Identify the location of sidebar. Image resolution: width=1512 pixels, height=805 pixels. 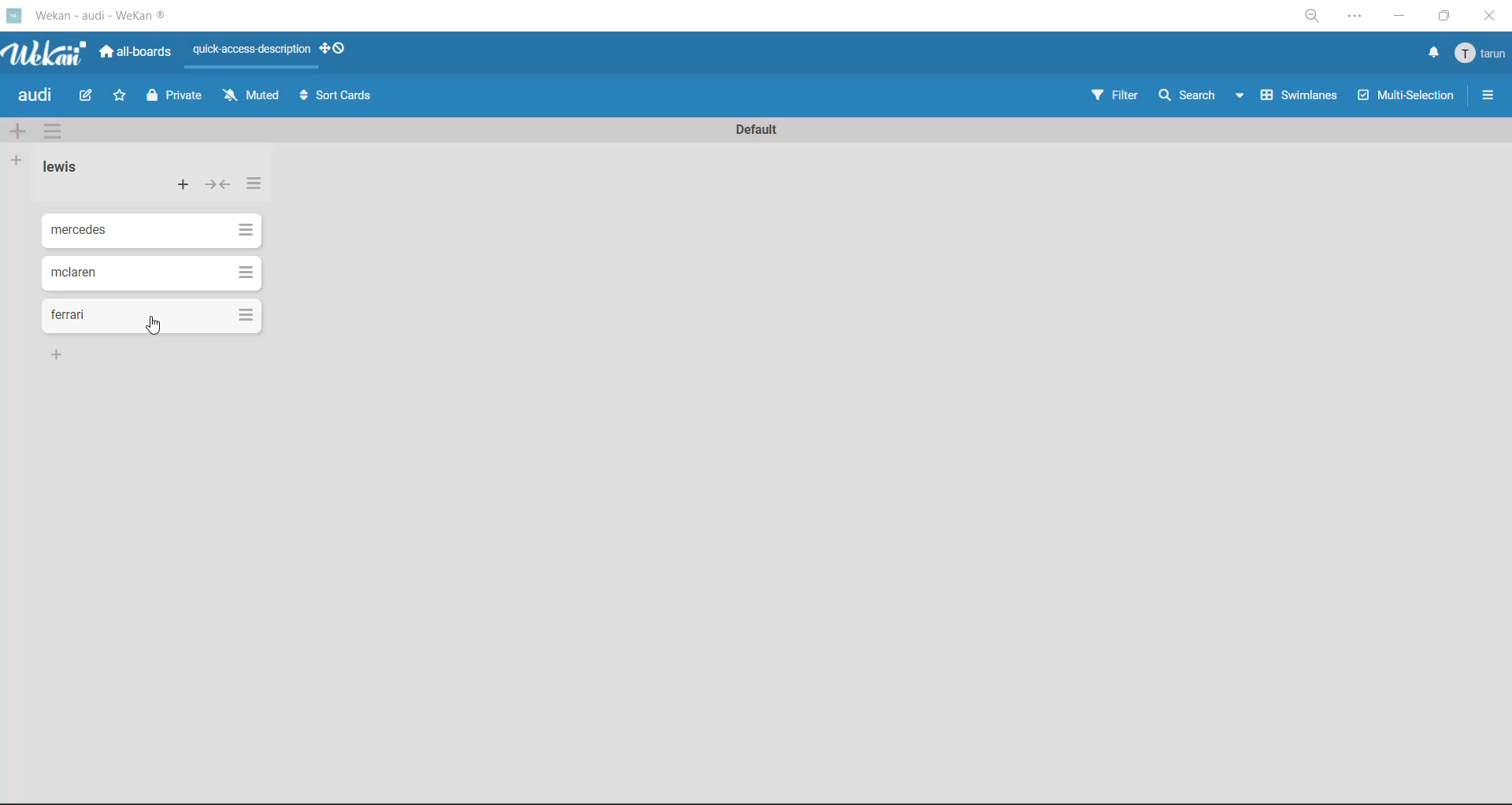
(1486, 95).